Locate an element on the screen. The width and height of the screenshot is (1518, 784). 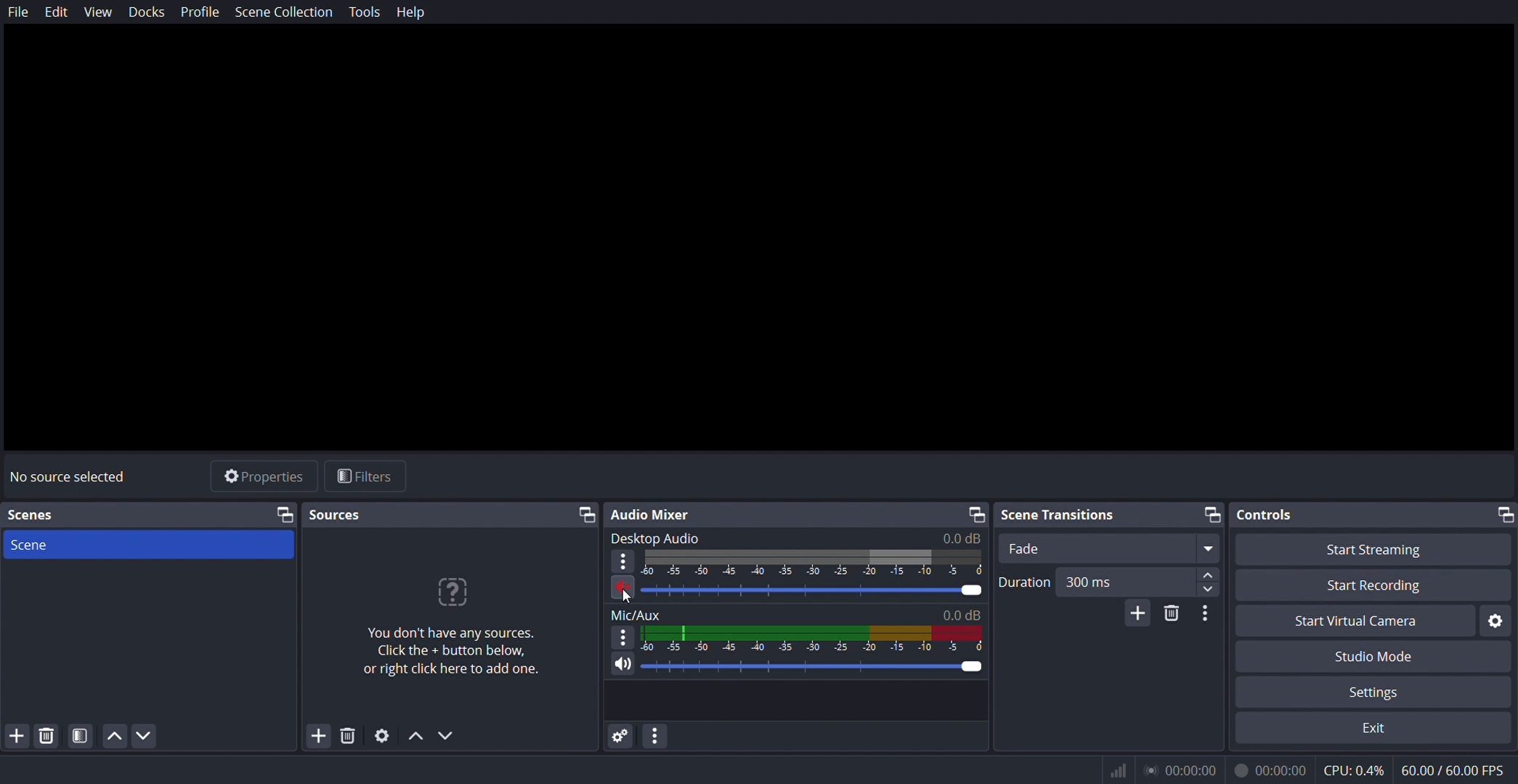
fade is located at coordinates (1108, 549).